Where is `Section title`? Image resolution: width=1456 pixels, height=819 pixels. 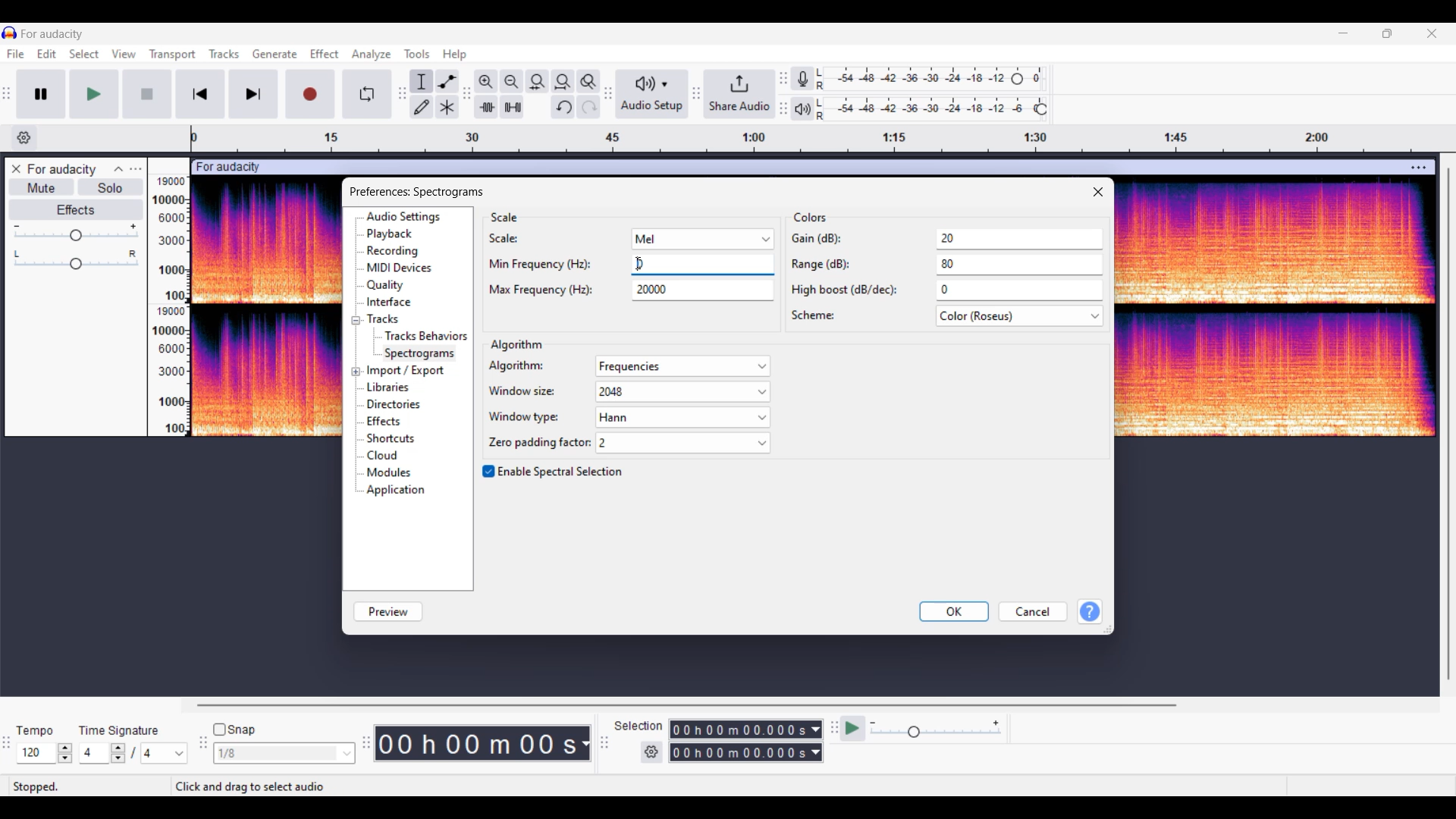 Section title is located at coordinates (516, 344).